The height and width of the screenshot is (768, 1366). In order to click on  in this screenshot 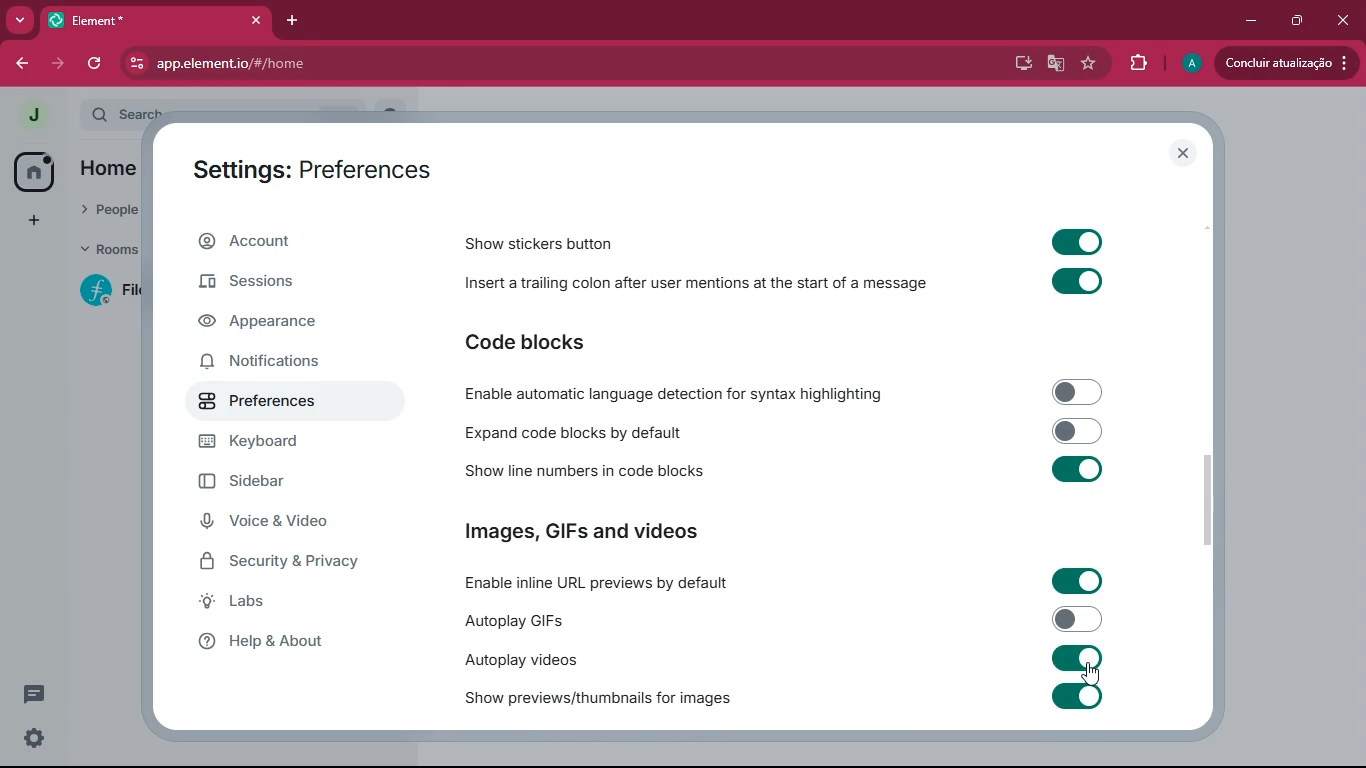, I will do `click(1077, 581)`.